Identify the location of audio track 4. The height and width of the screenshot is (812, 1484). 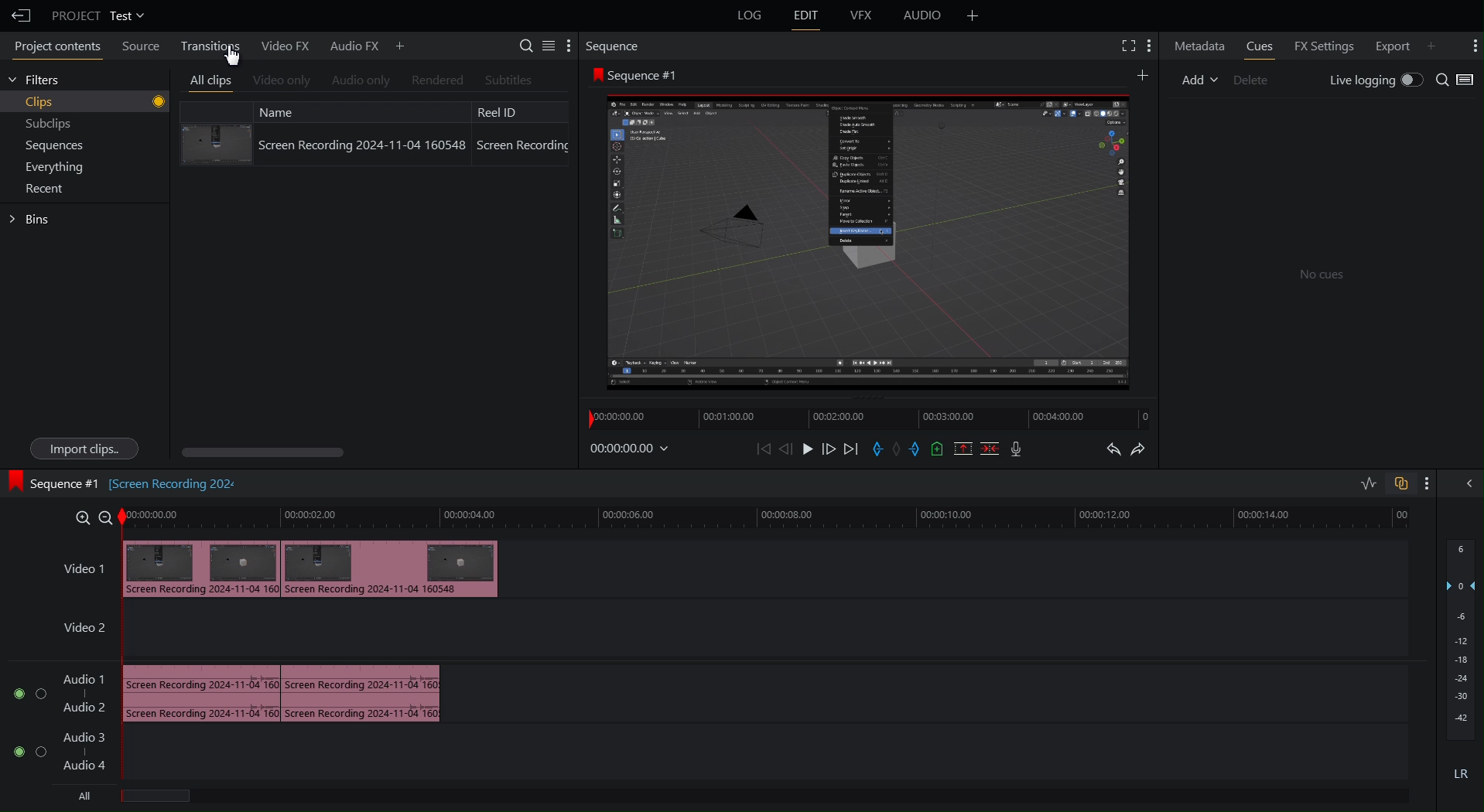
(92, 767).